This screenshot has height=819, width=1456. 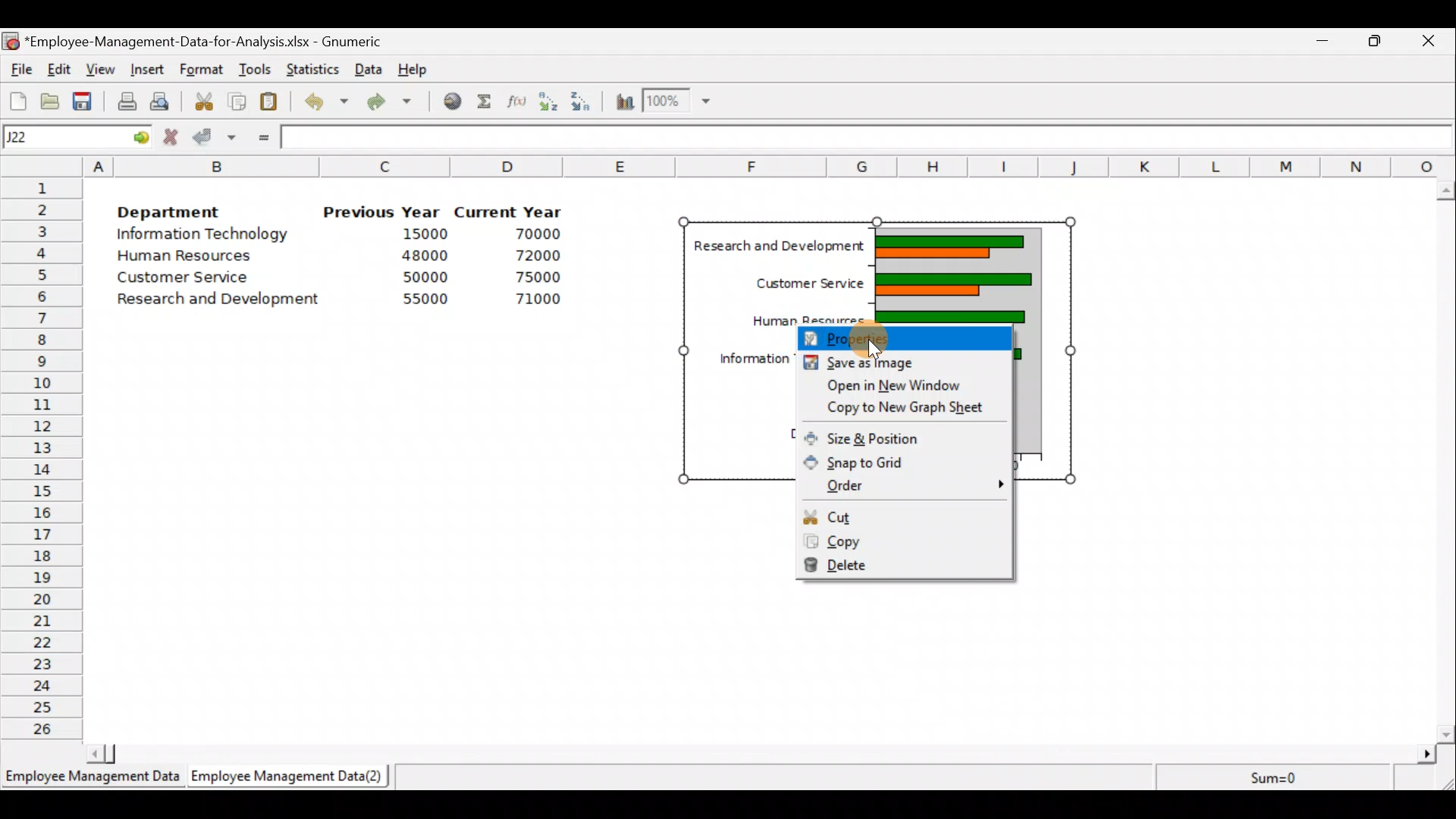 What do you see at coordinates (328, 105) in the screenshot?
I see `Undo last action` at bounding box center [328, 105].